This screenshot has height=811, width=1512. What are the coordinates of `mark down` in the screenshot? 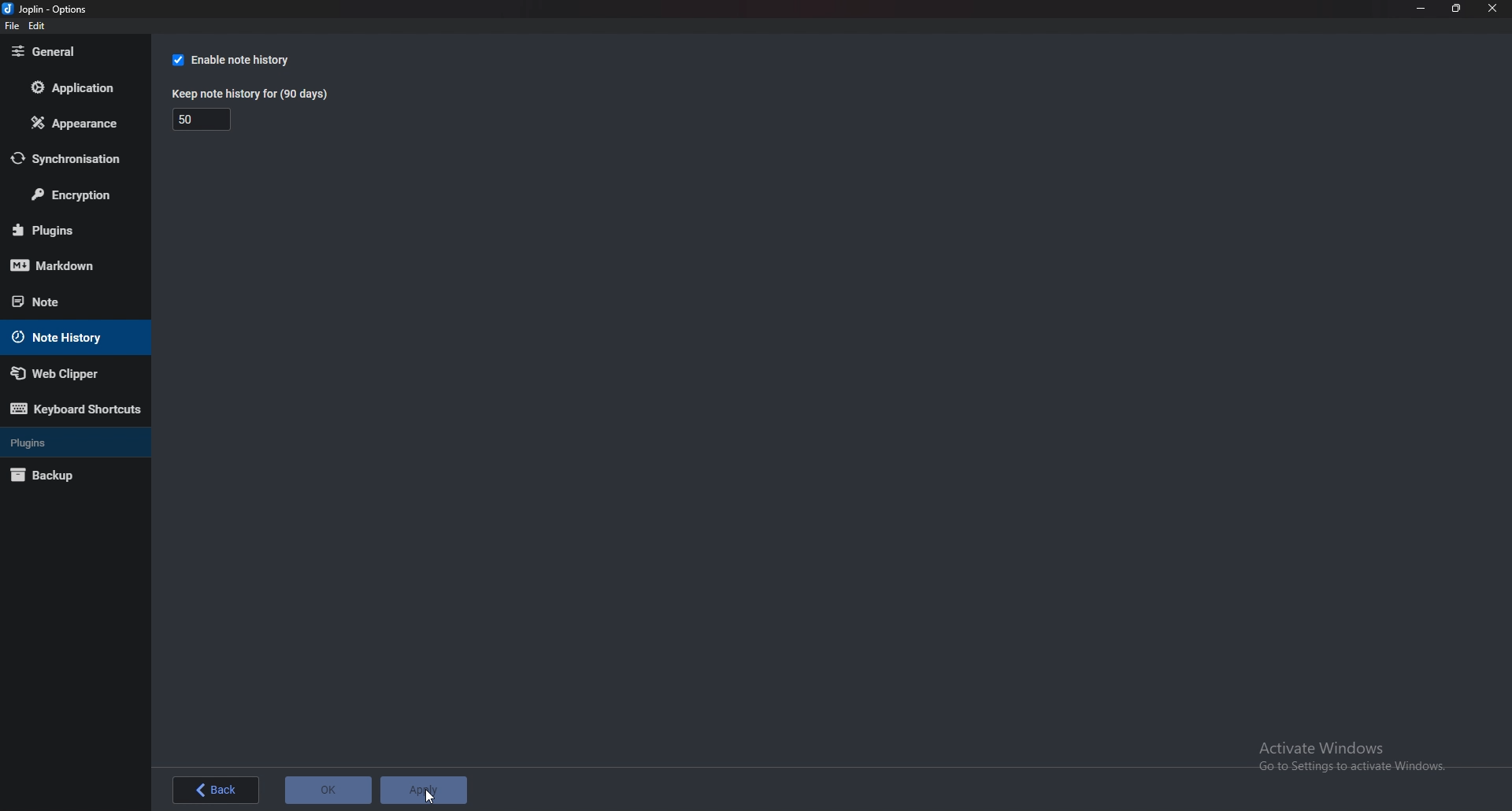 It's located at (70, 267).